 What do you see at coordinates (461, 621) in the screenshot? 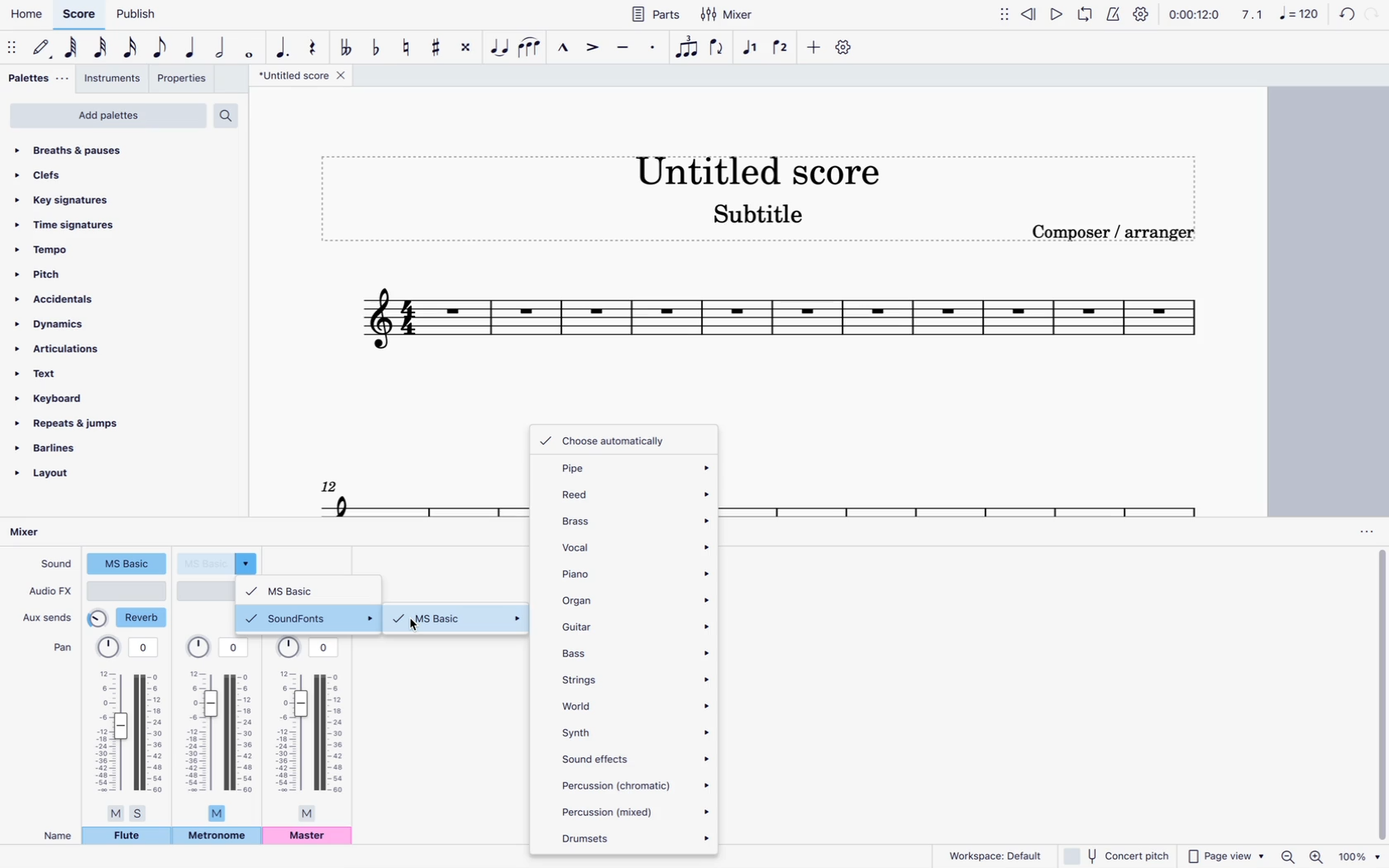
I see `ms basic` at bounding box center [461, 621].